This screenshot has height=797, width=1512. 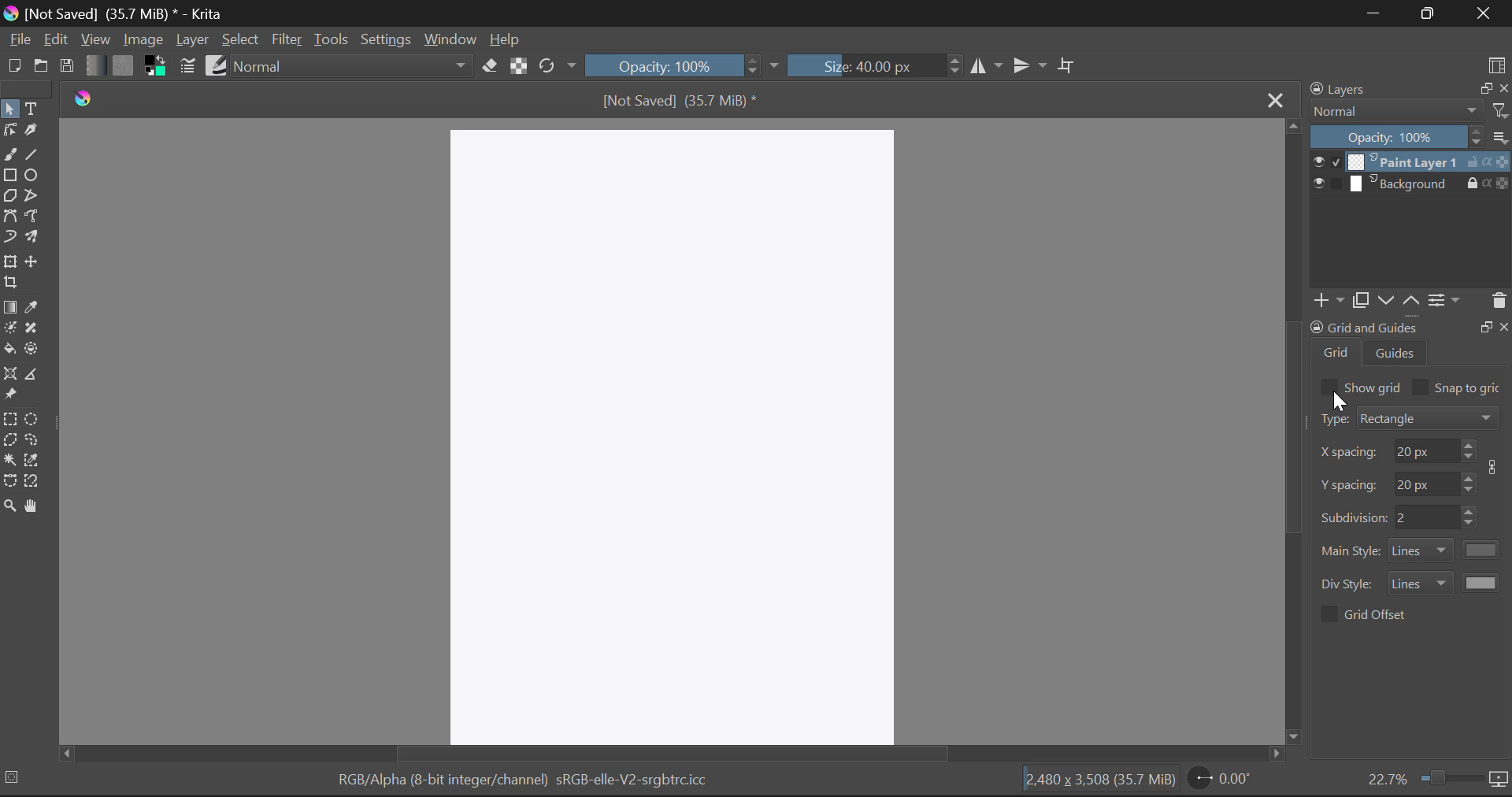 What do you see at coordinates (1498, 301) in the screenshot?
I see `delete` at bounding box center [1498, 301].